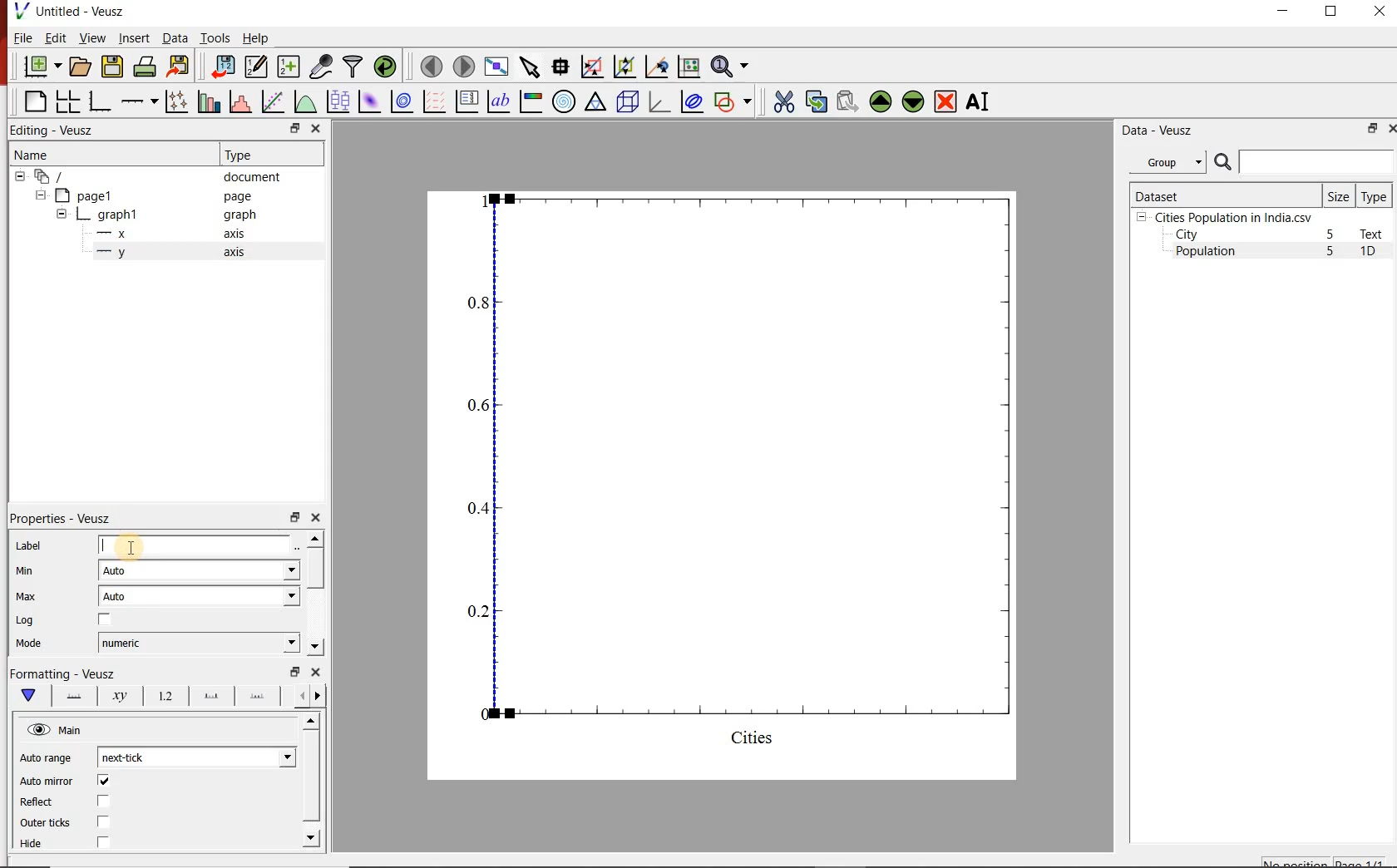  Describe the element at coordinates (294, 516) in the screenshot. I see `restore` at that location.